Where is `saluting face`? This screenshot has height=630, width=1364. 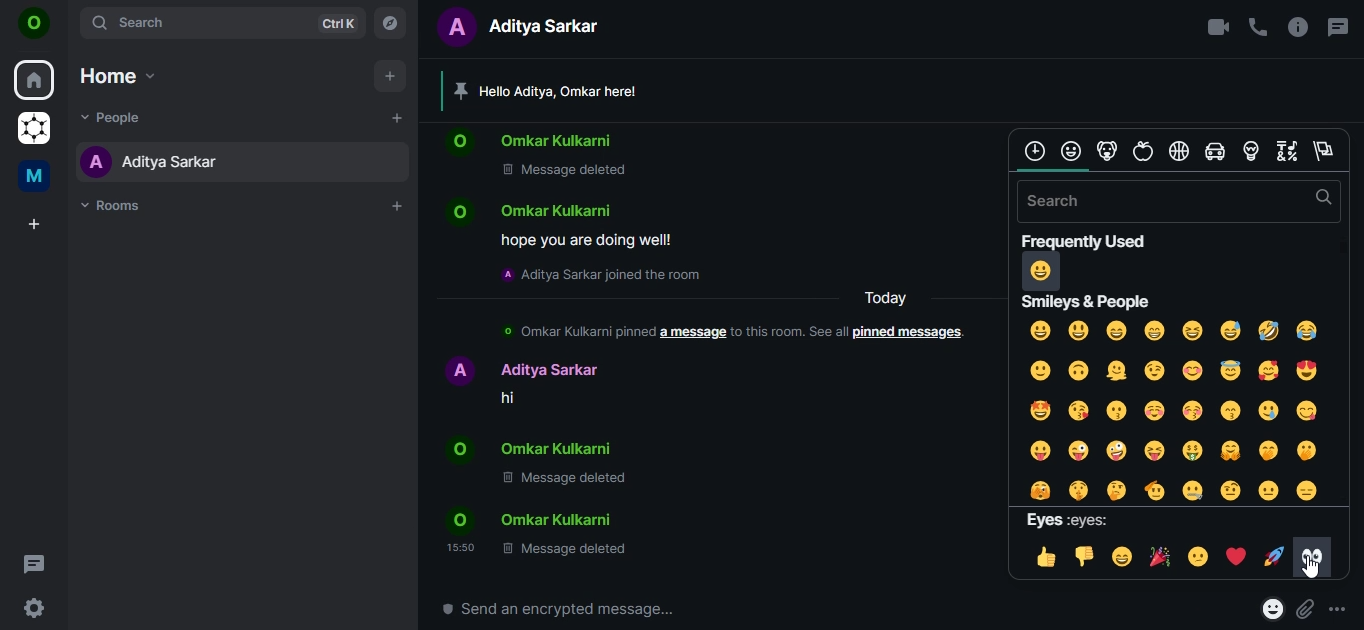
saluting face is located at coordinates (1154, 492).